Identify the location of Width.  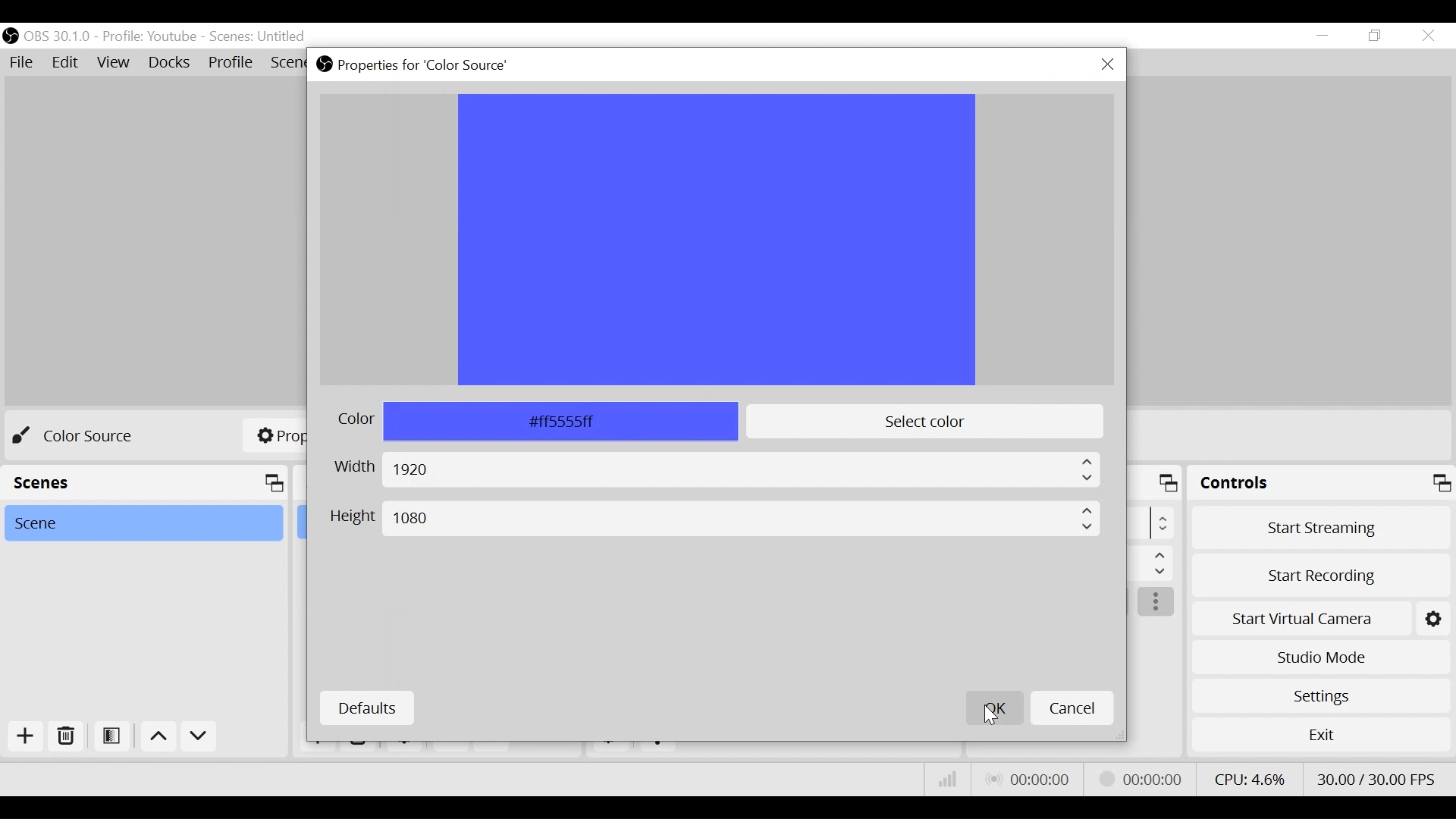
(714, 470).